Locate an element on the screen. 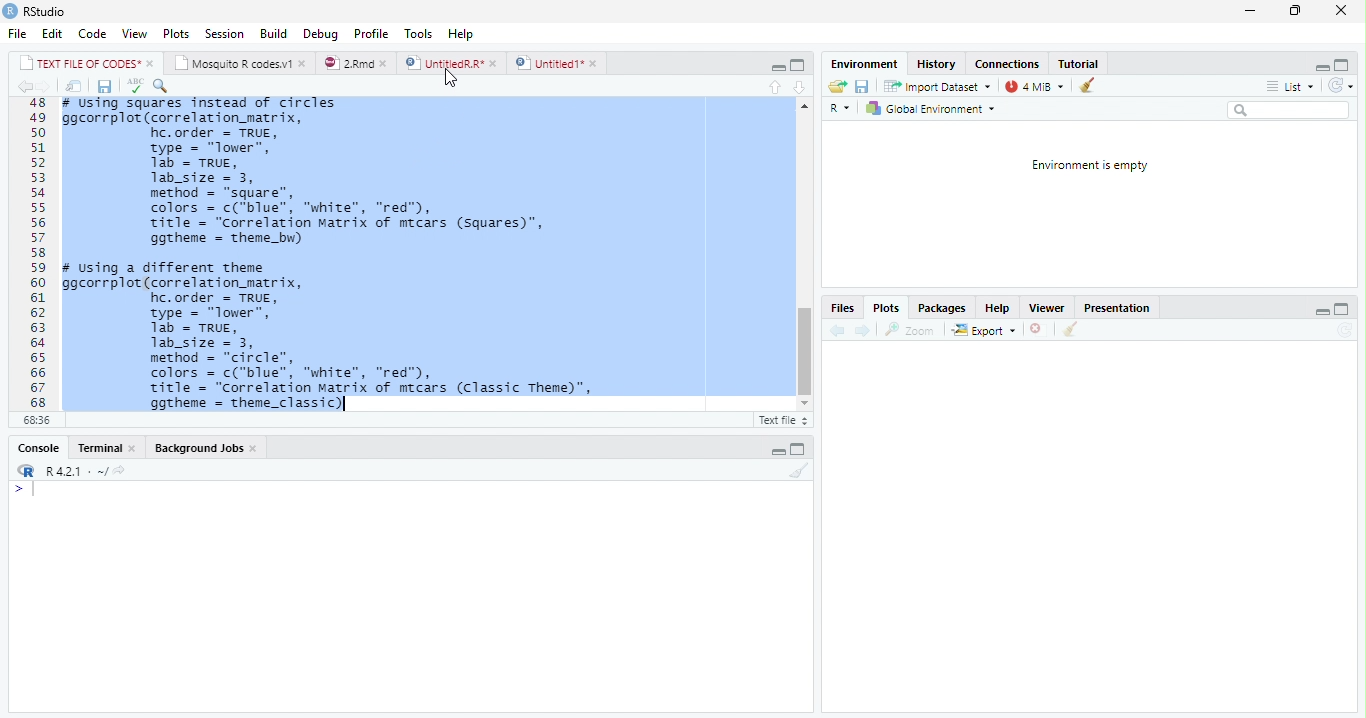 This screenshot has height=718, width=1366. Files is located at coordinates (842, 307).